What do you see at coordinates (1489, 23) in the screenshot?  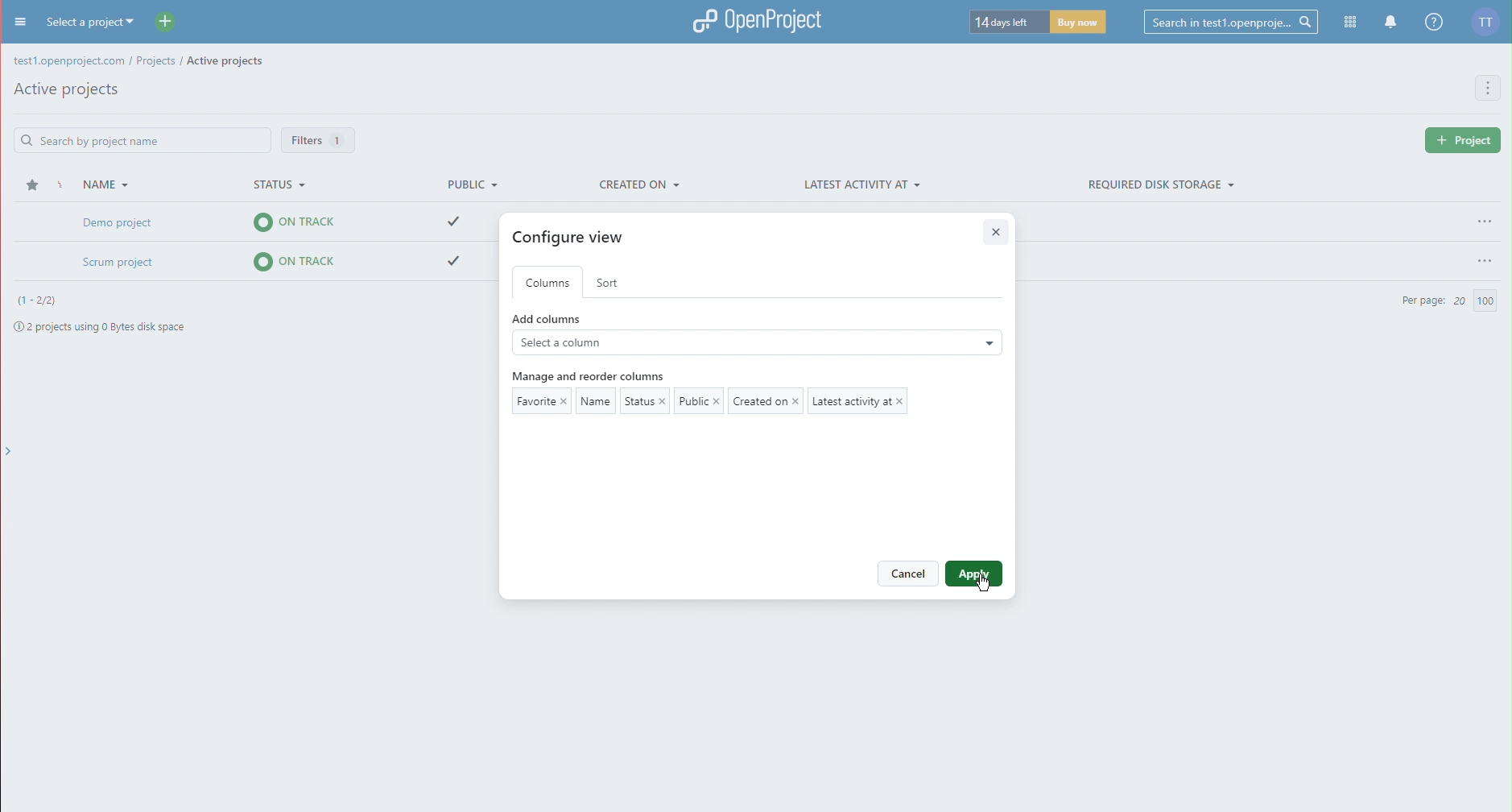 I see `Account` at bounding box center [1489, 23].